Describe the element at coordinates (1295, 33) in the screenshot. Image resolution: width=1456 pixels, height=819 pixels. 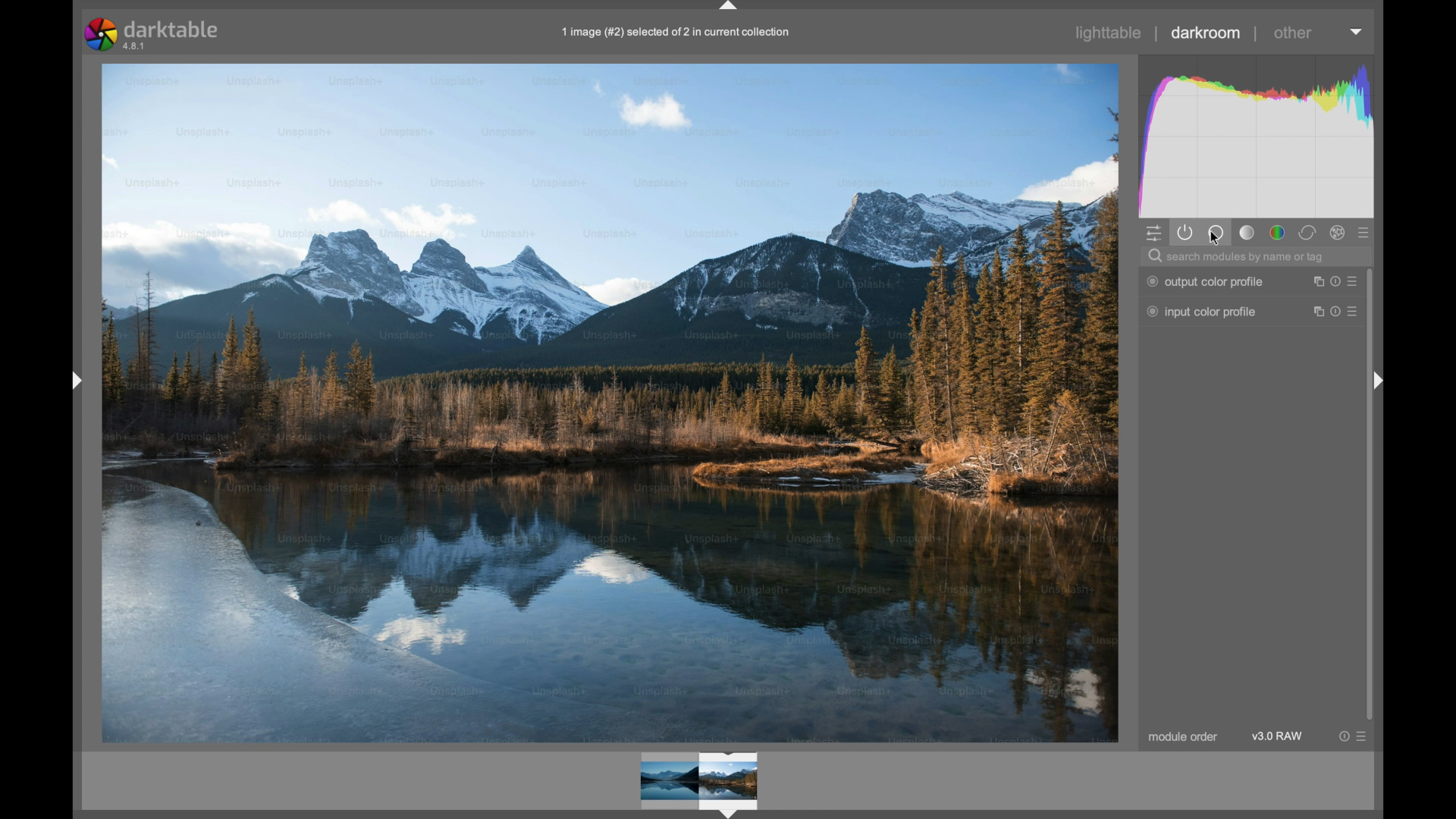
I see `other` at that location.